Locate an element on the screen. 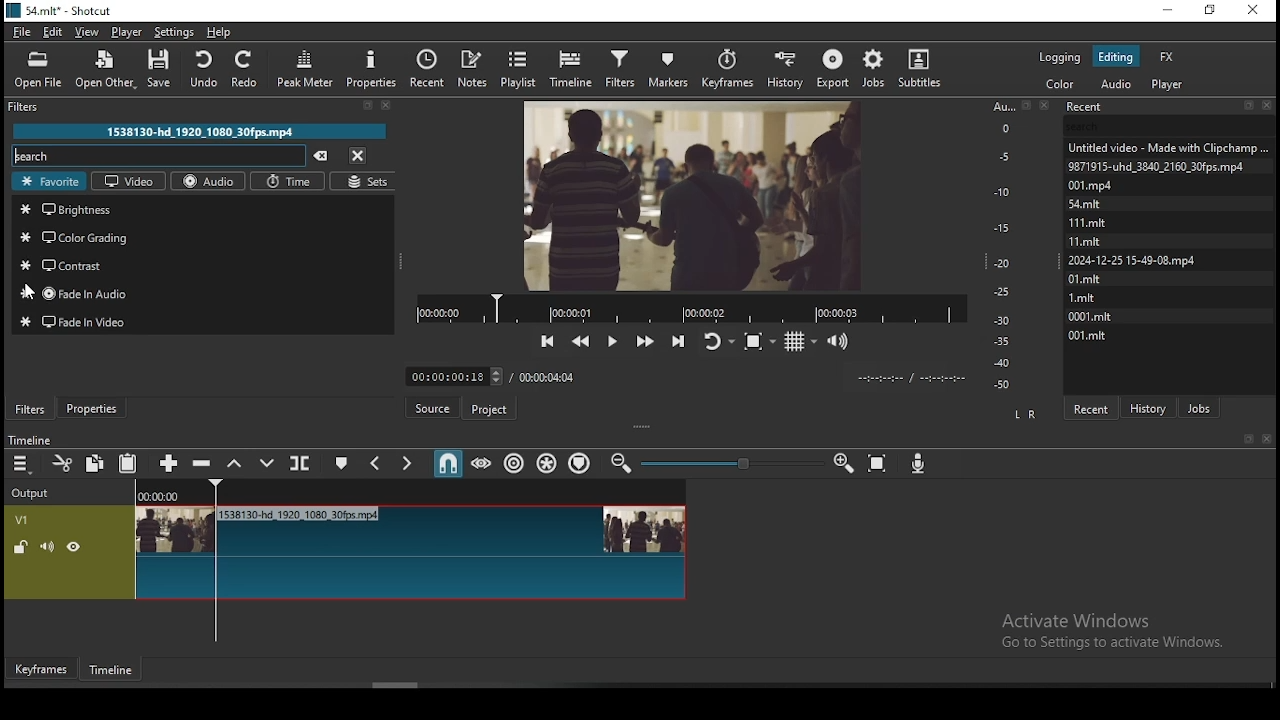 The height and width of the screenshot is (720, 1280). clear searches is located at coordinates (324, 156).